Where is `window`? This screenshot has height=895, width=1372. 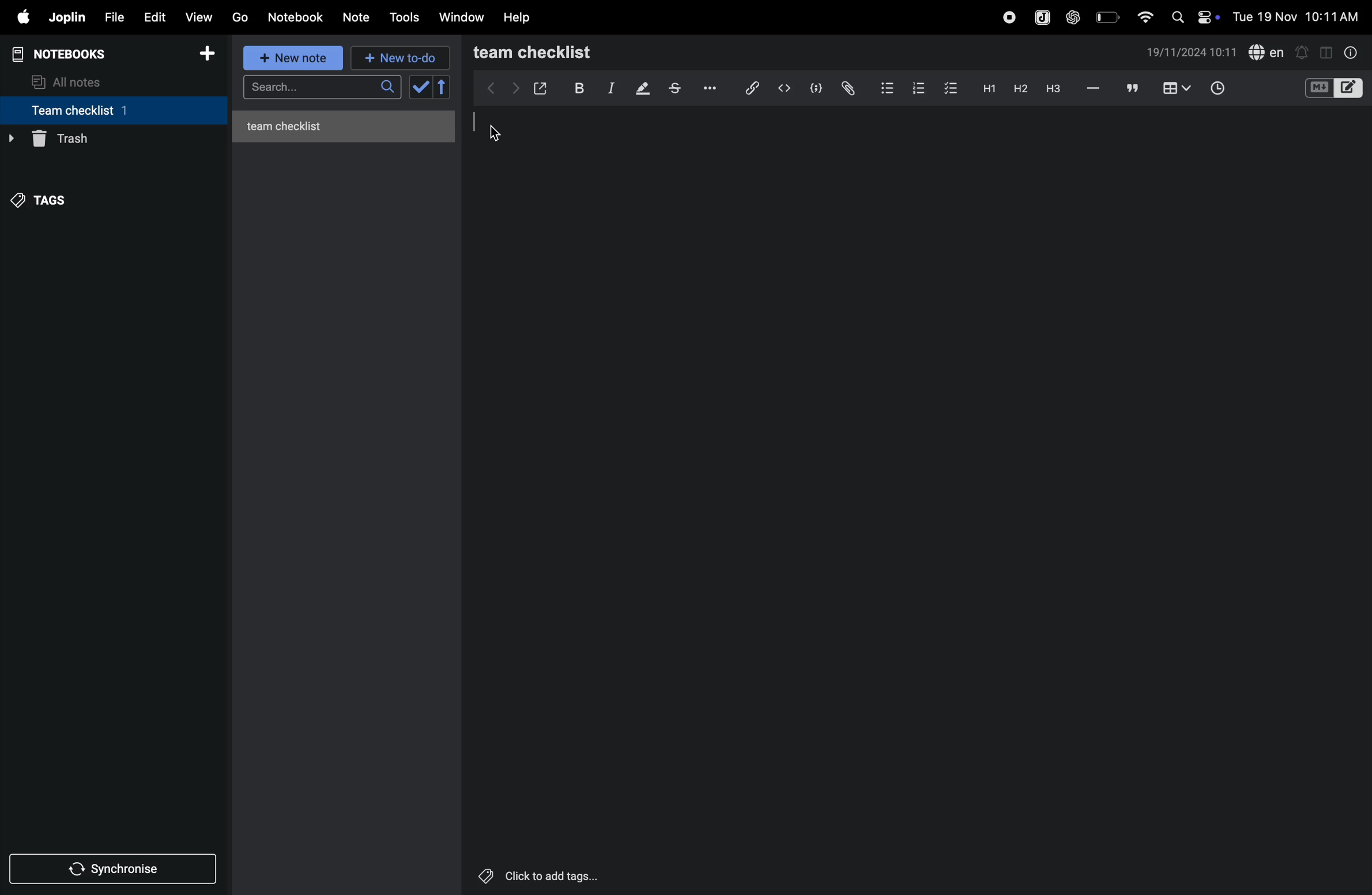
window is located at coordinates (461, 18).